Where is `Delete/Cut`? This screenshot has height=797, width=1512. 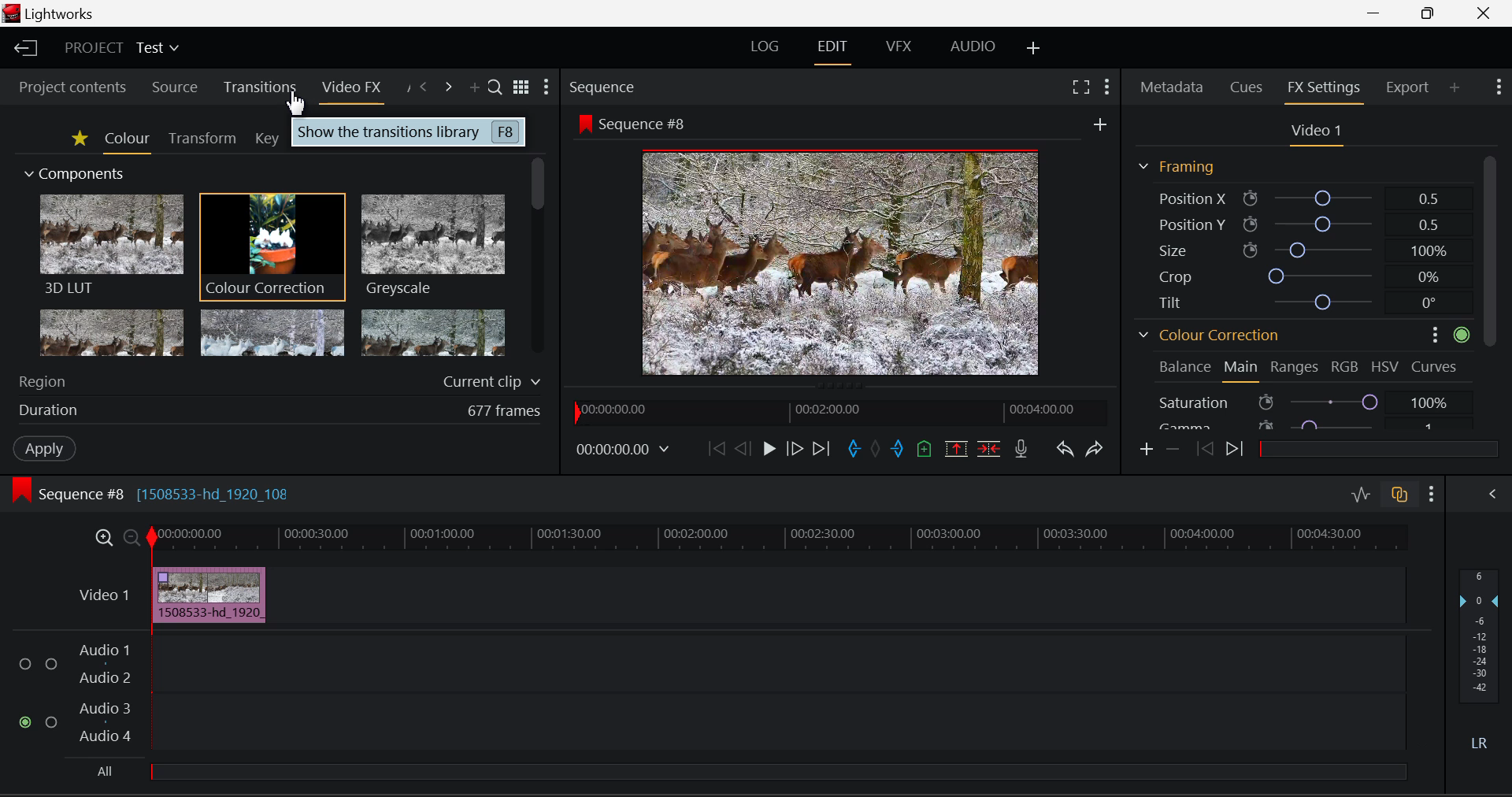 Delete/Cut is located at coordinates (991, 449).